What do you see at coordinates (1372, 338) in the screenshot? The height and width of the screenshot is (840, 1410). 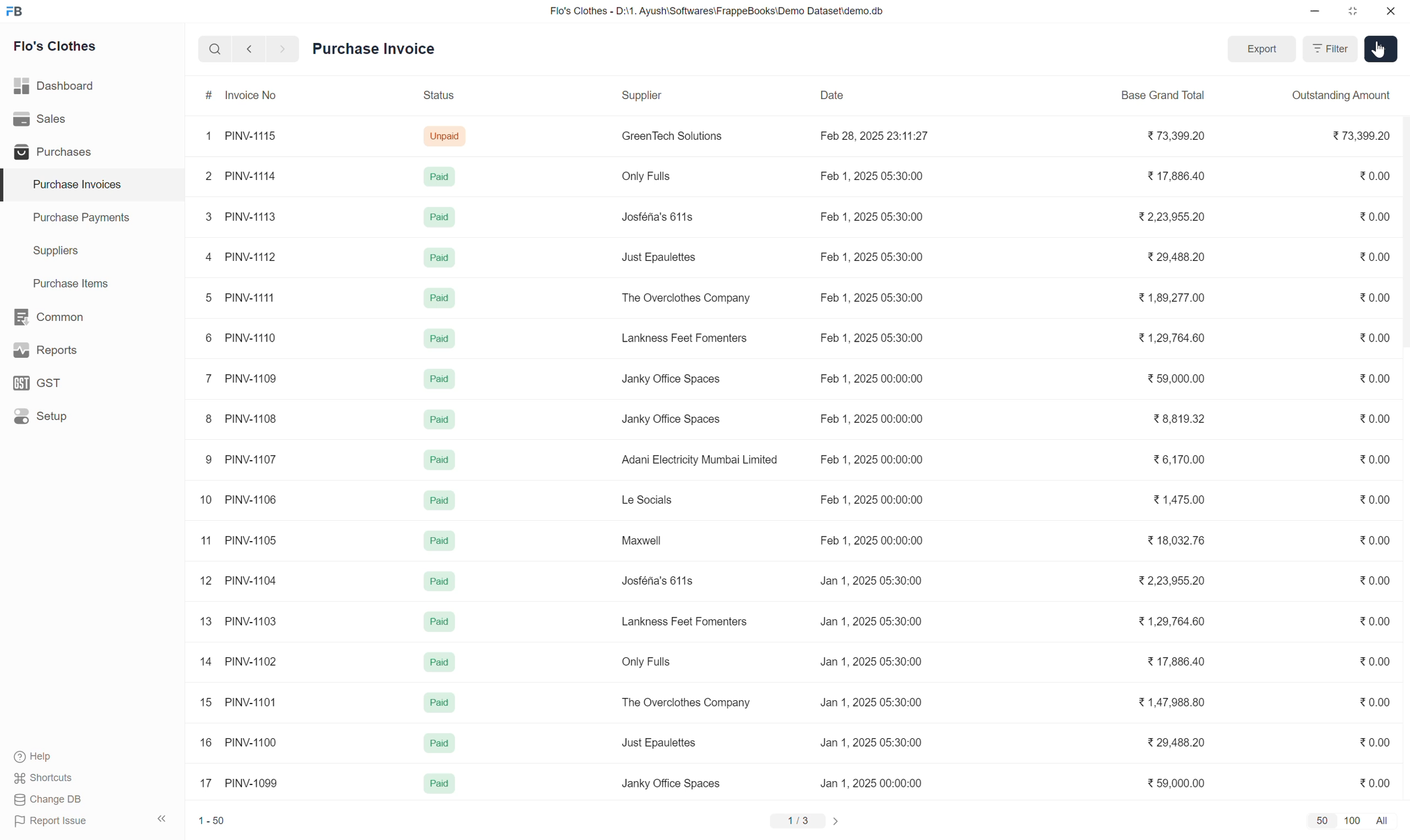 I see `0.00` at bounding box center [1372, 338].